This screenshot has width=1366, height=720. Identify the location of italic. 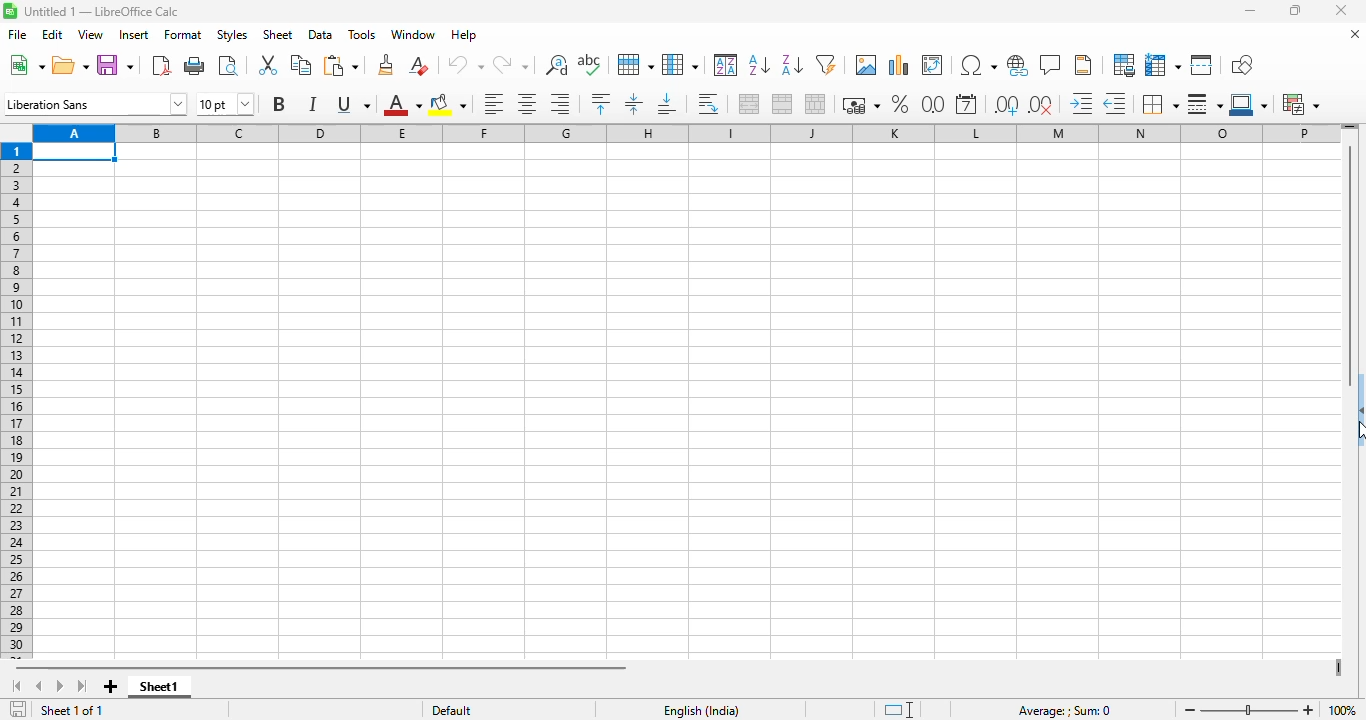
(311, 104).